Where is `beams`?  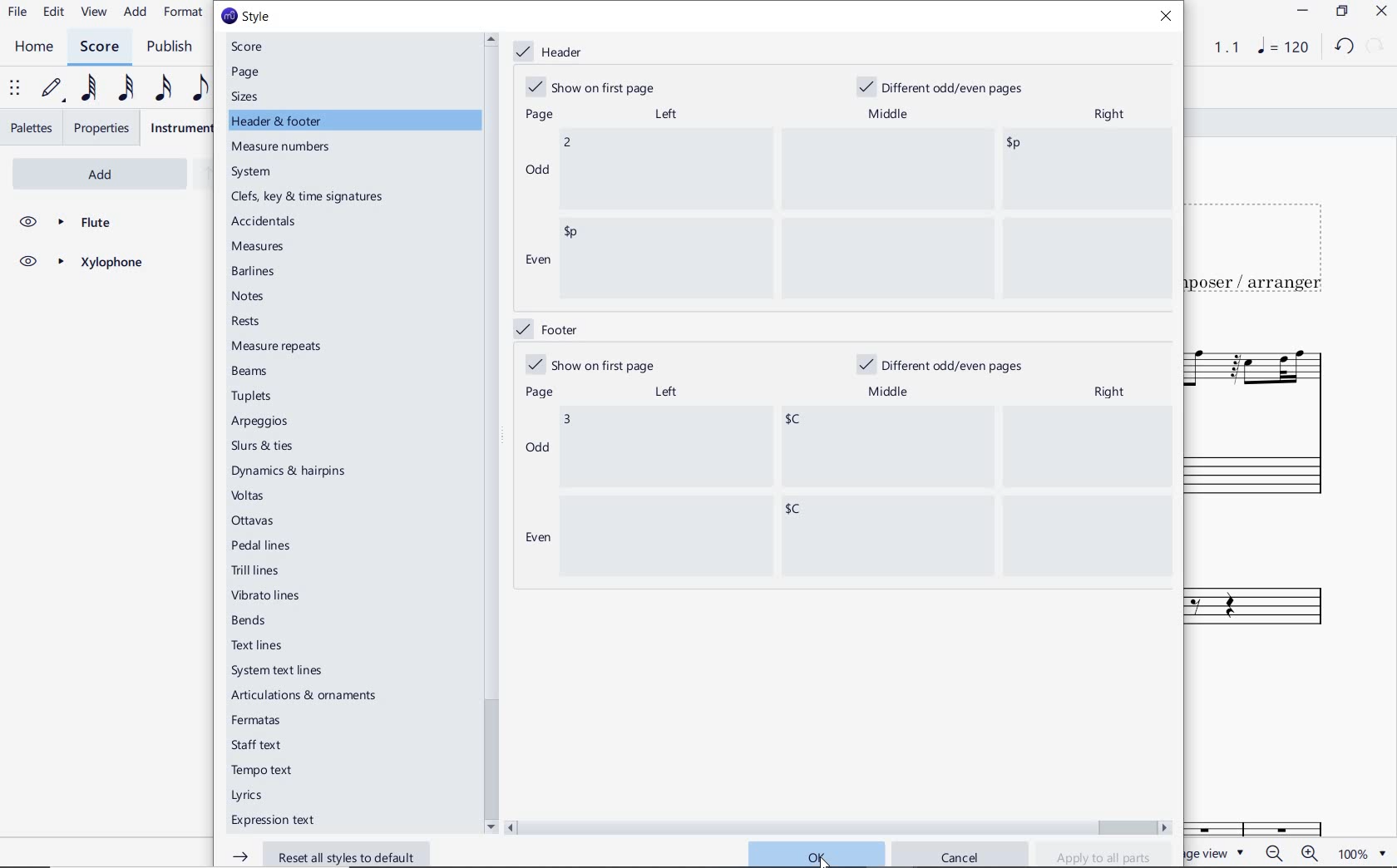 beams is located at coordinates (254, 372).